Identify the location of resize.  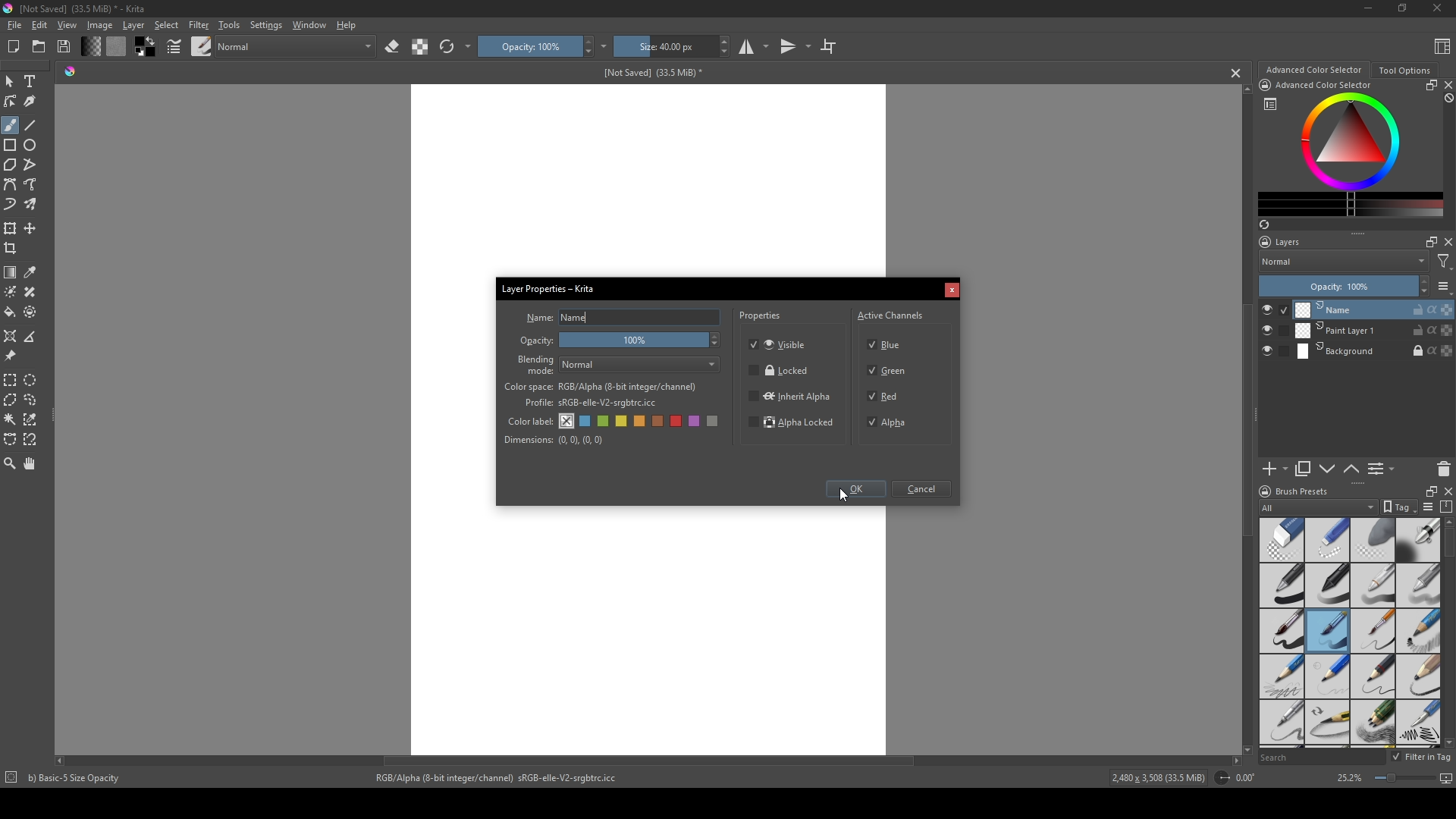
(1429, 85).